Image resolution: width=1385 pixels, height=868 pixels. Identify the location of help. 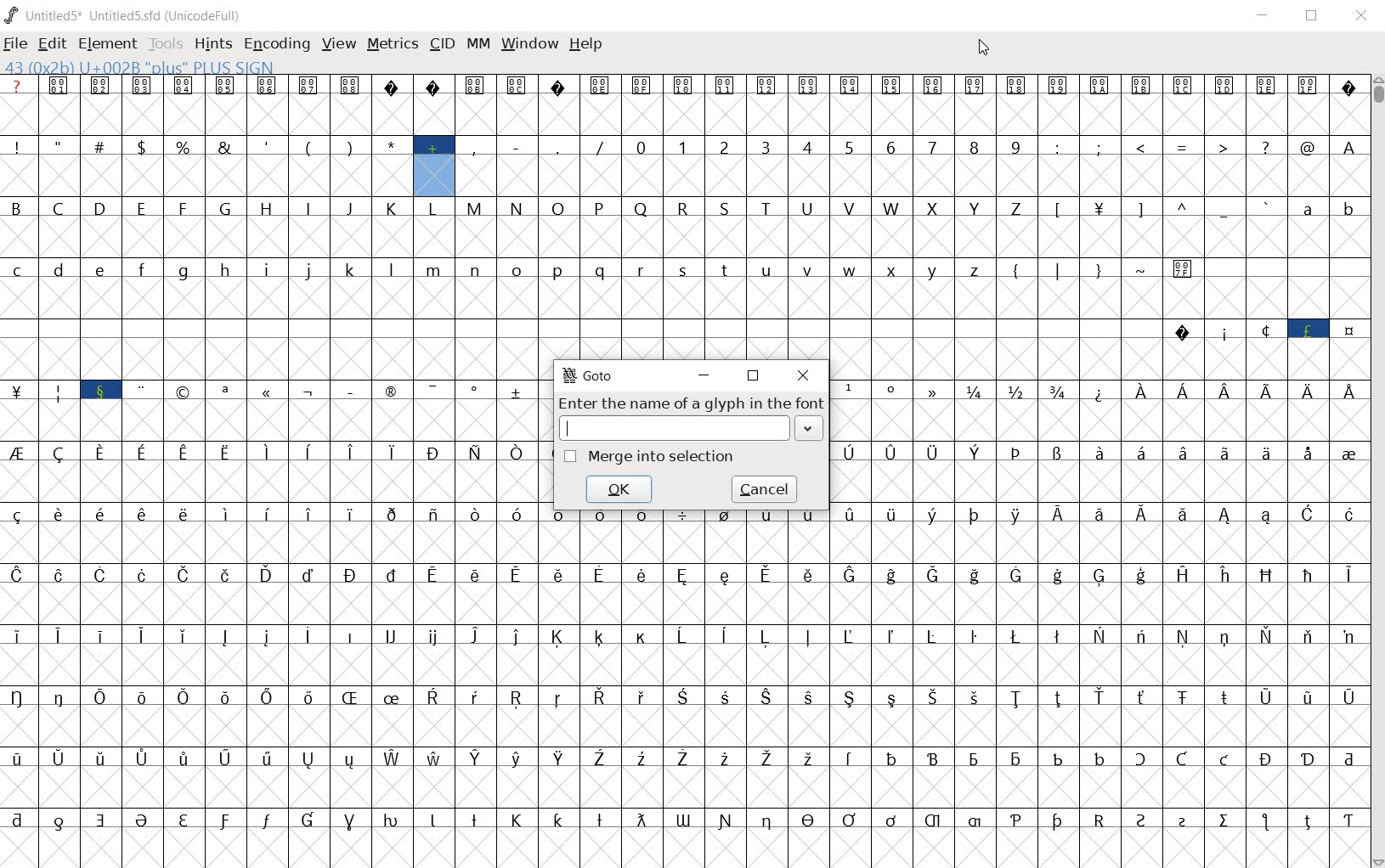
(585, 48).